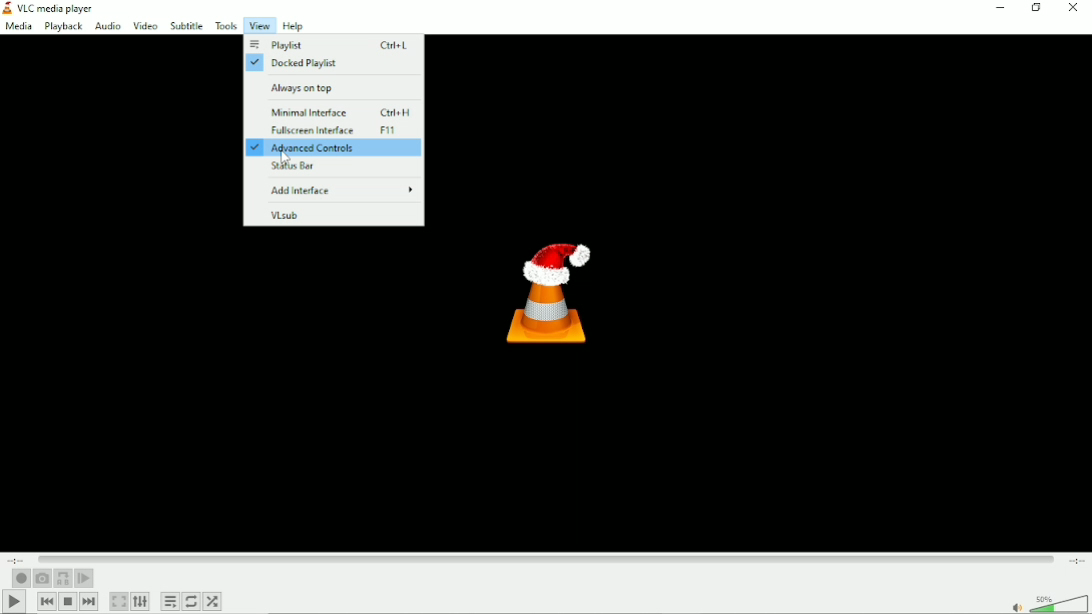  Describe the element at coordinates (546, 293) in the screenshot. I see `vlc Logo` at that location.